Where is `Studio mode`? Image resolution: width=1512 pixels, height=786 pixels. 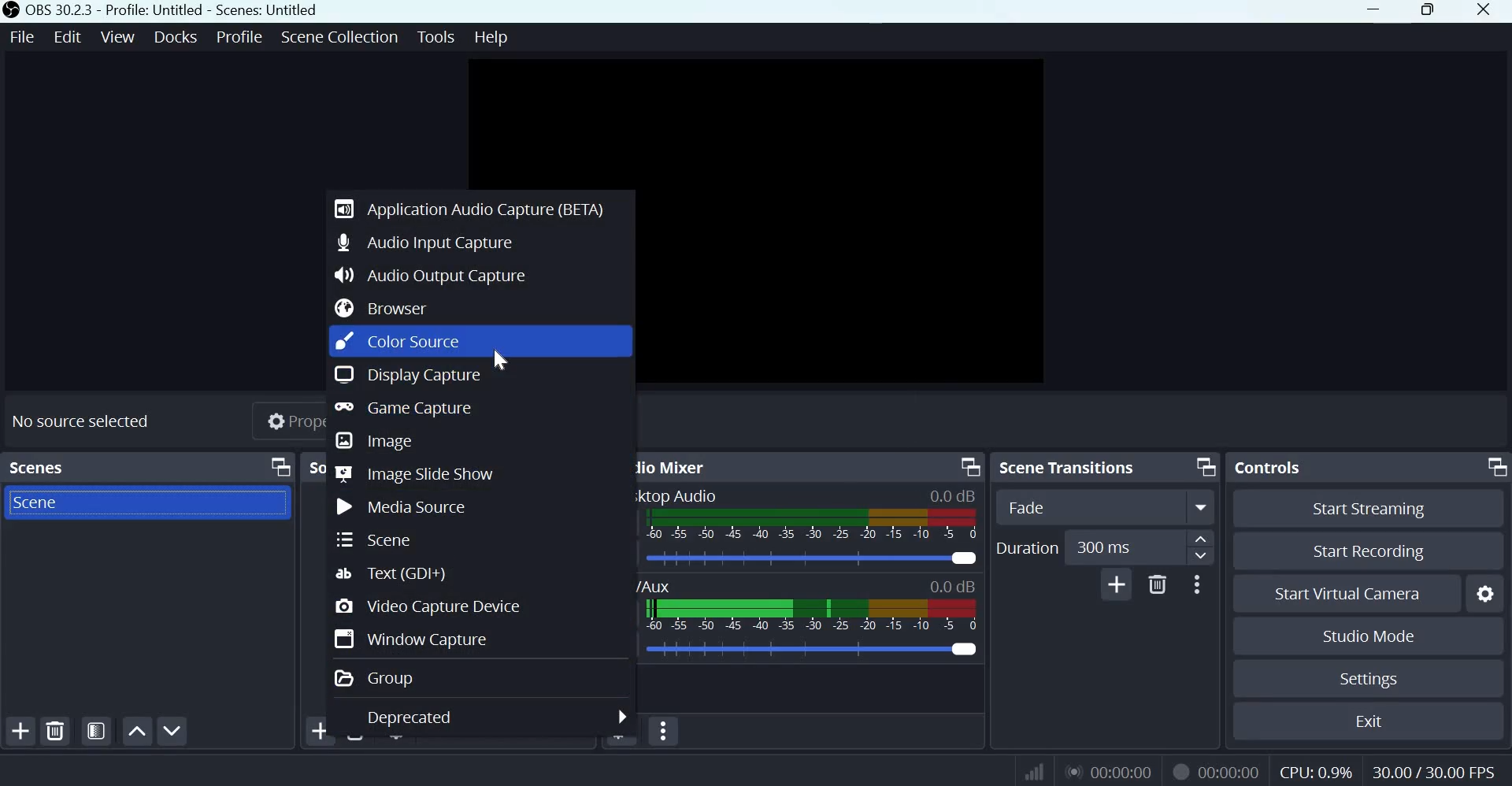
Studio mode is located at coordinates (1366, 636).